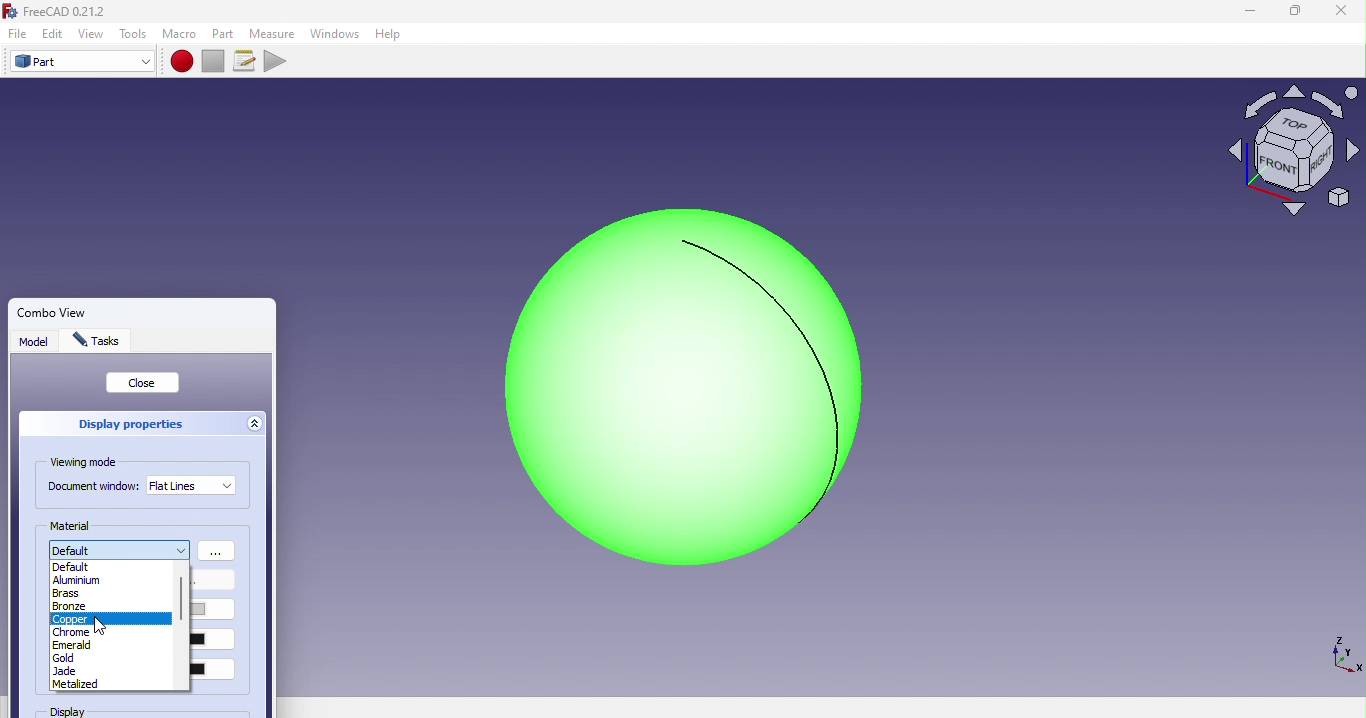 This screenshot has height=718, width=1366. I want to click on cursor, so click(101, 627).